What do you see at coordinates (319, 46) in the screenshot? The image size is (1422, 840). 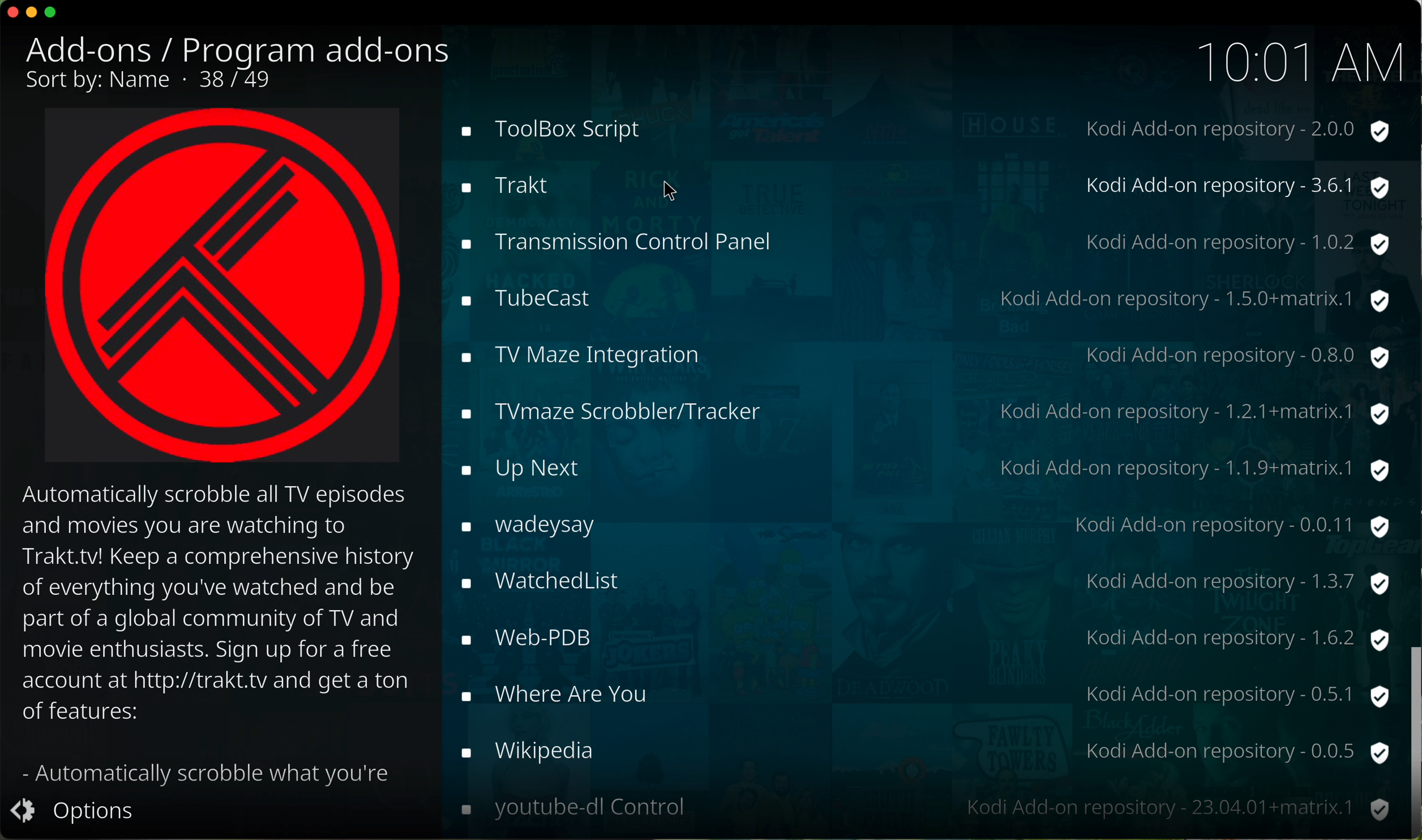 I see `program add-ons` at bounding box center [319, 46].